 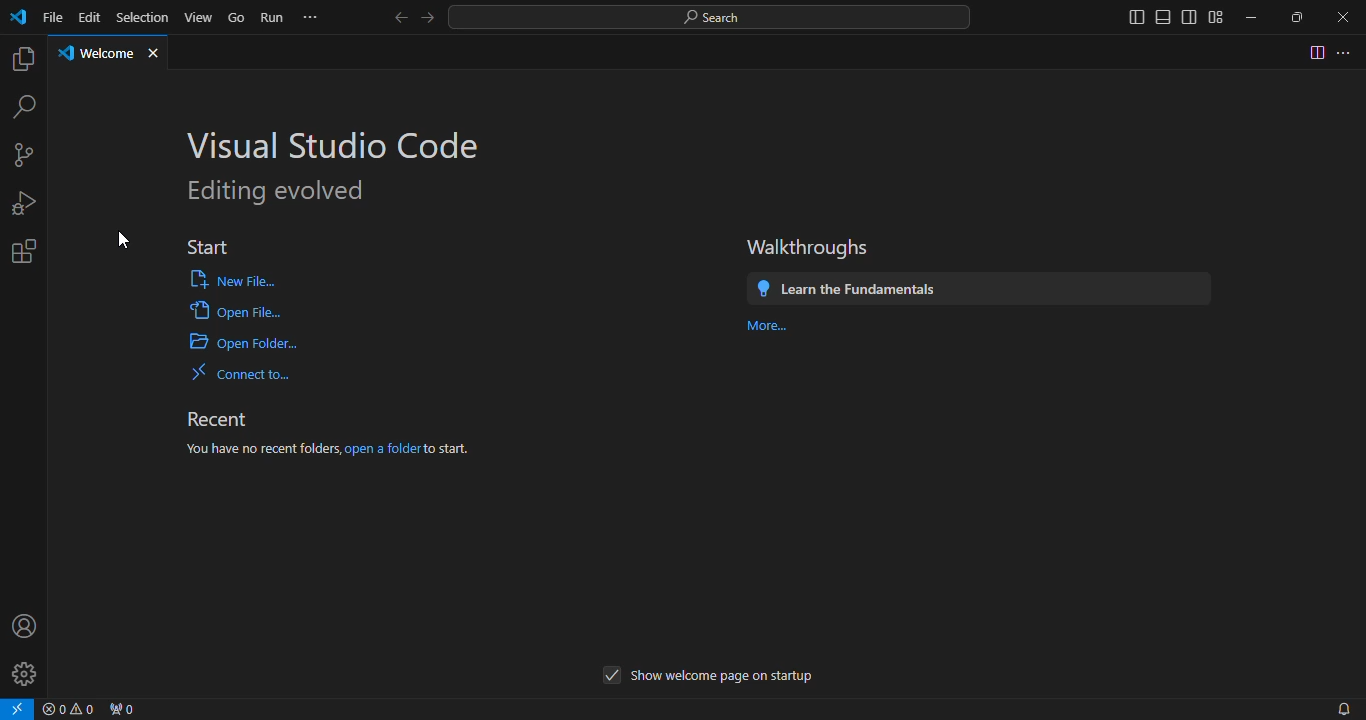 I want to click on settings, so click(x=20, y=678).